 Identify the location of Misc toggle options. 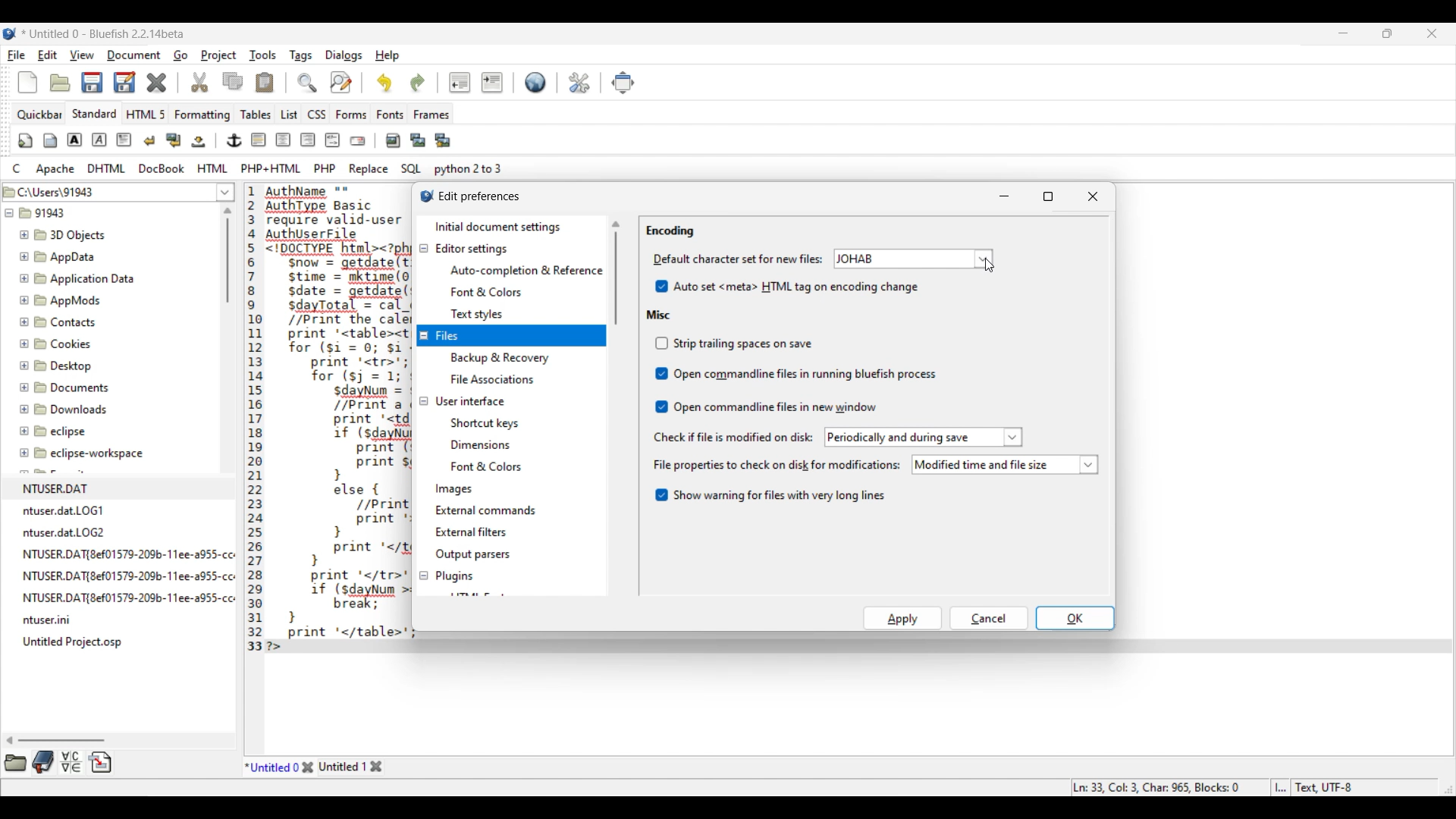
(808, 376).